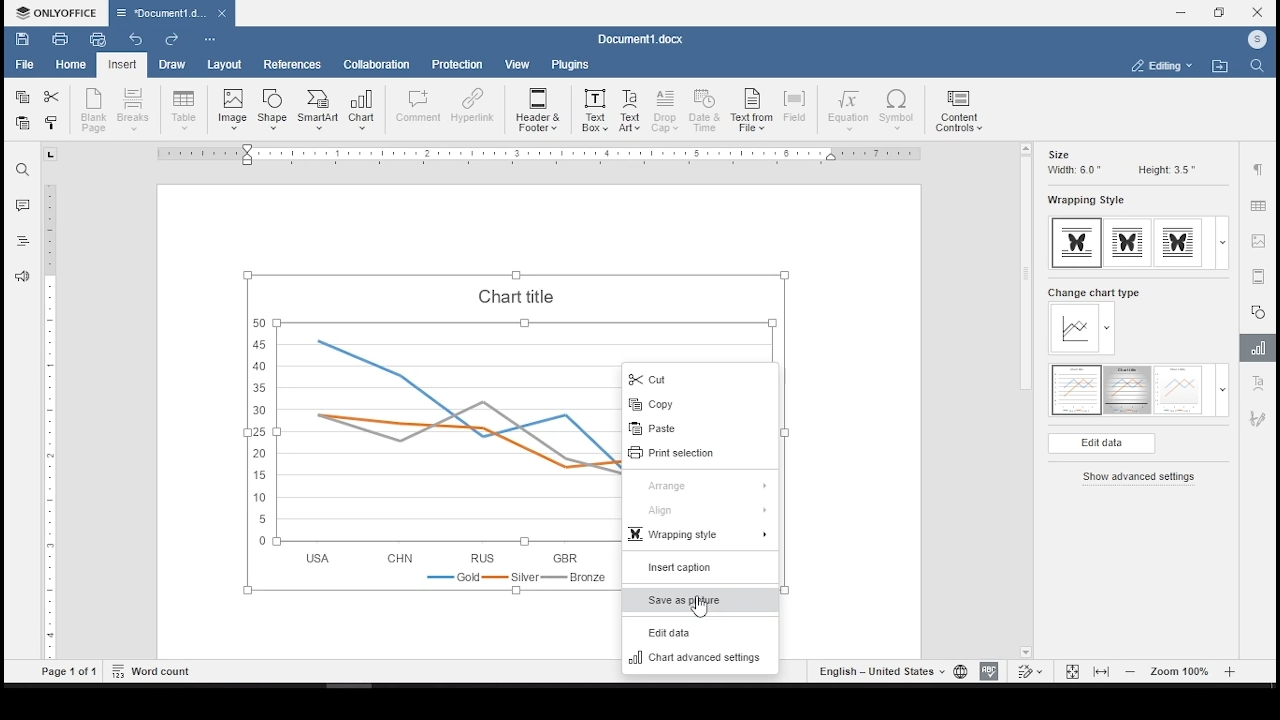  Describe the element at coordinates (22, 276) in the screenshot. I see `feedback & support` at that location.